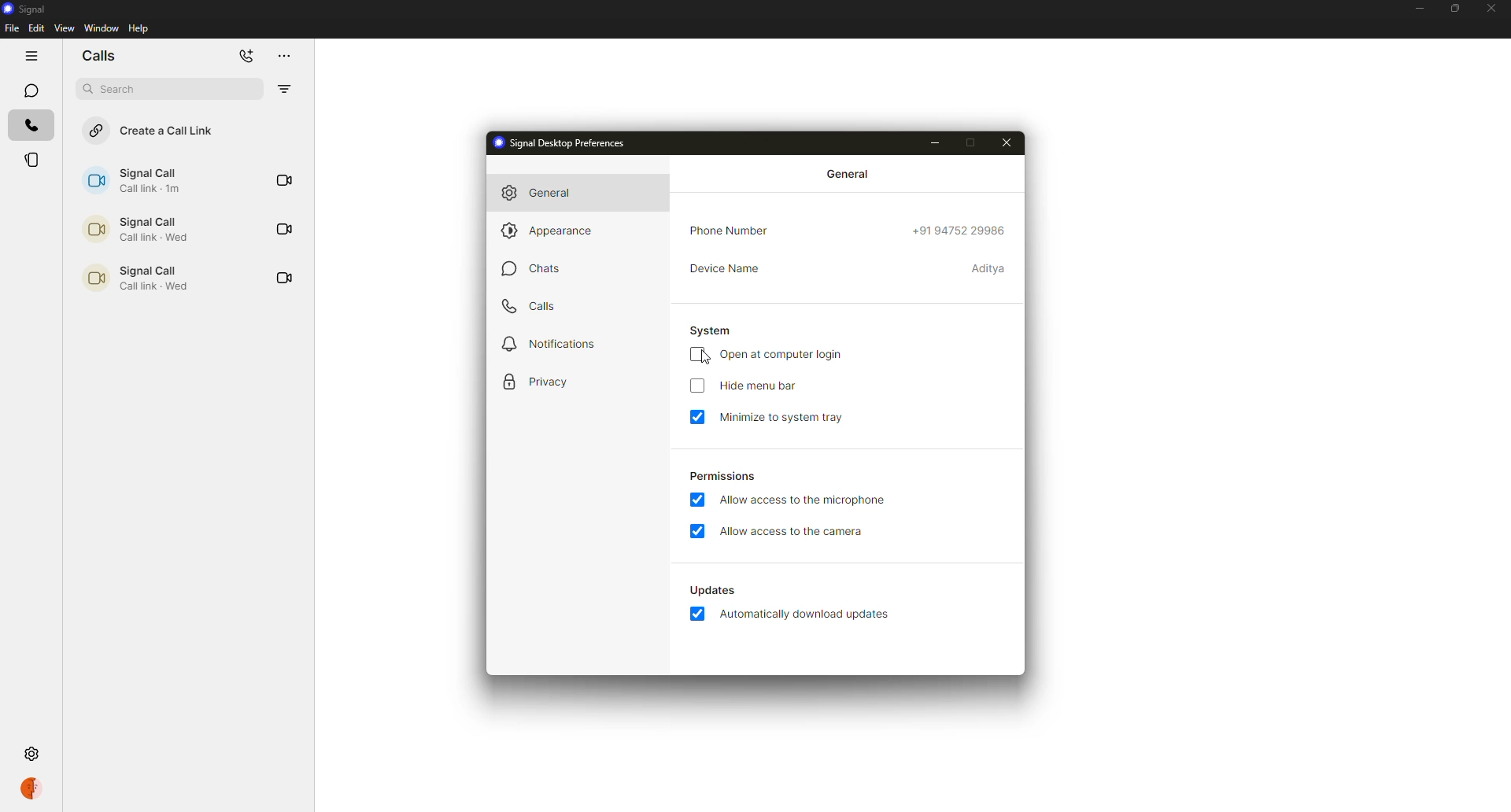  I want to click on minimize to system tray, so click(782, 418).